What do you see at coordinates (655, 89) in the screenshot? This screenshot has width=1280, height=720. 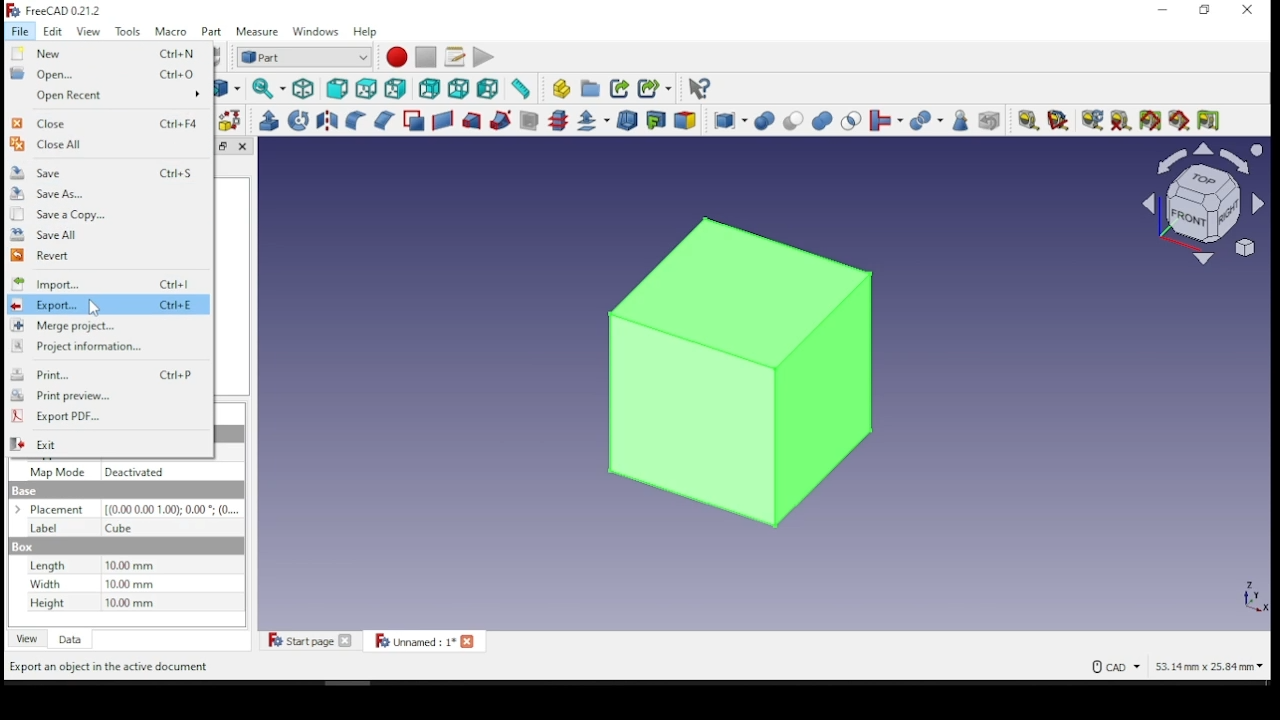 I see `make sub link` at bounding box center [655, 89].